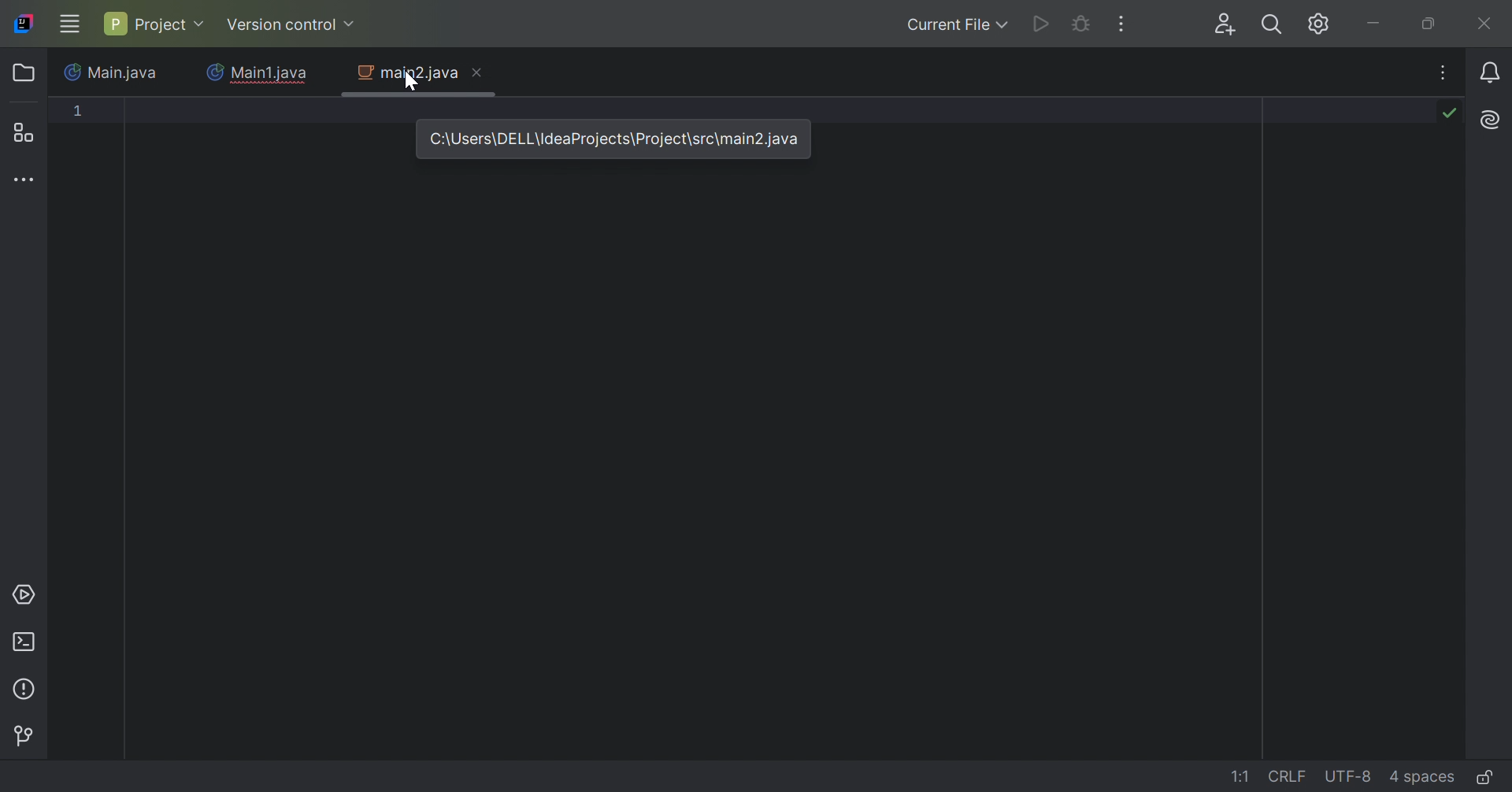 Image resolution: width=1512 pixels, height=792 pixels. I want to click on More Actions, so click(1120, 23).